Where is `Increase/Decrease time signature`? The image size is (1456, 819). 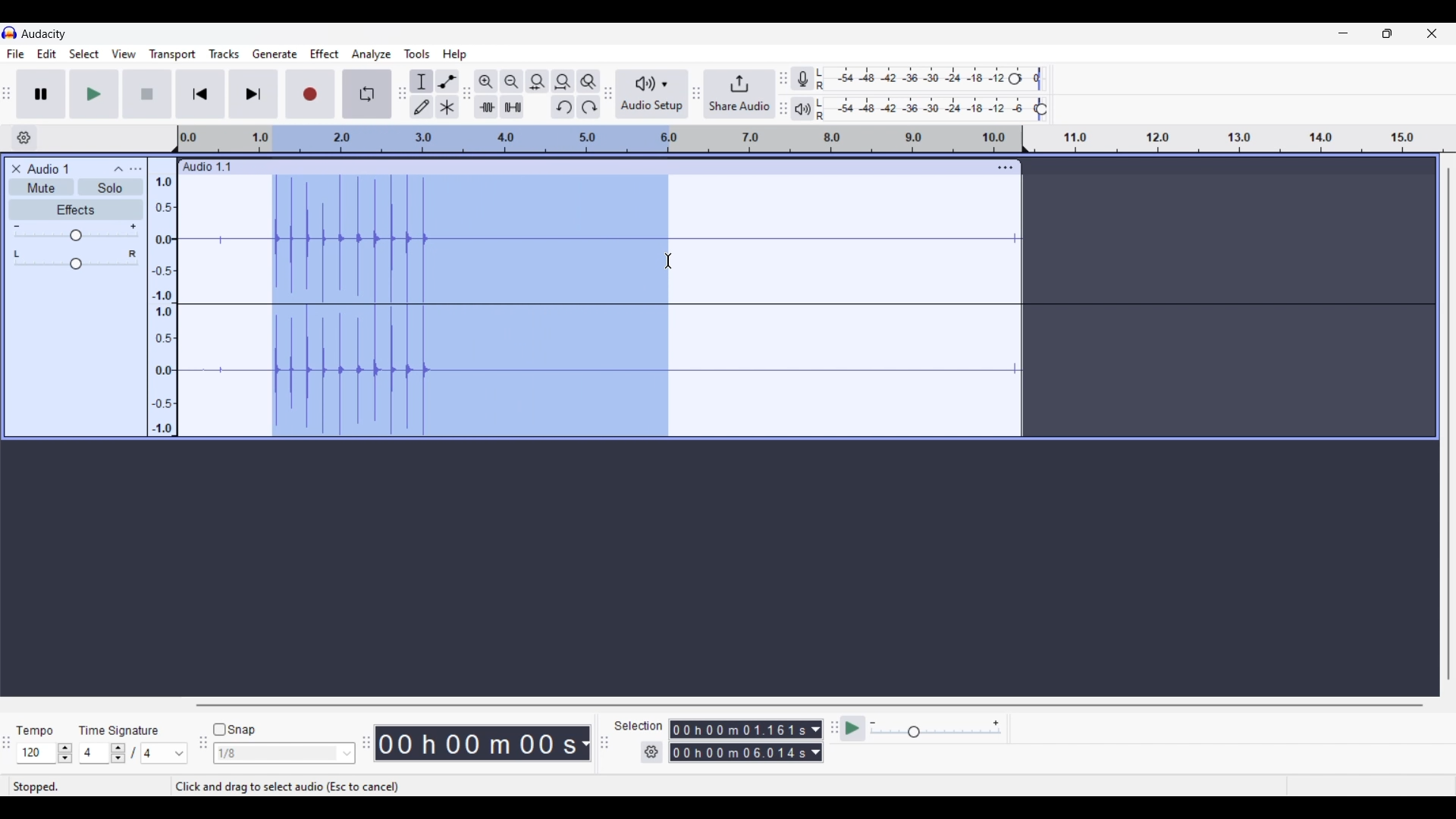 Increase/Decrease time signature is located at coordinates (118, 753).